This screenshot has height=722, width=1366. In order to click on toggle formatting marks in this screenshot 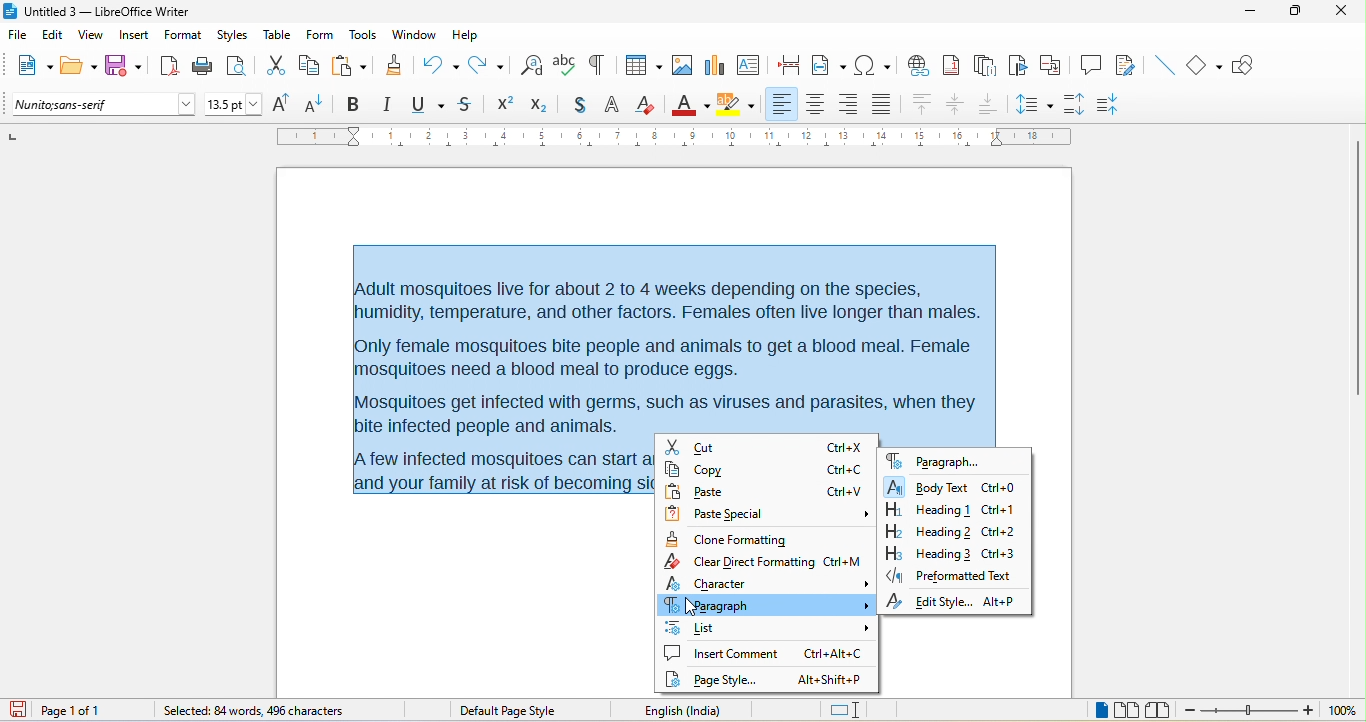, I will do `click(596, 65)`.